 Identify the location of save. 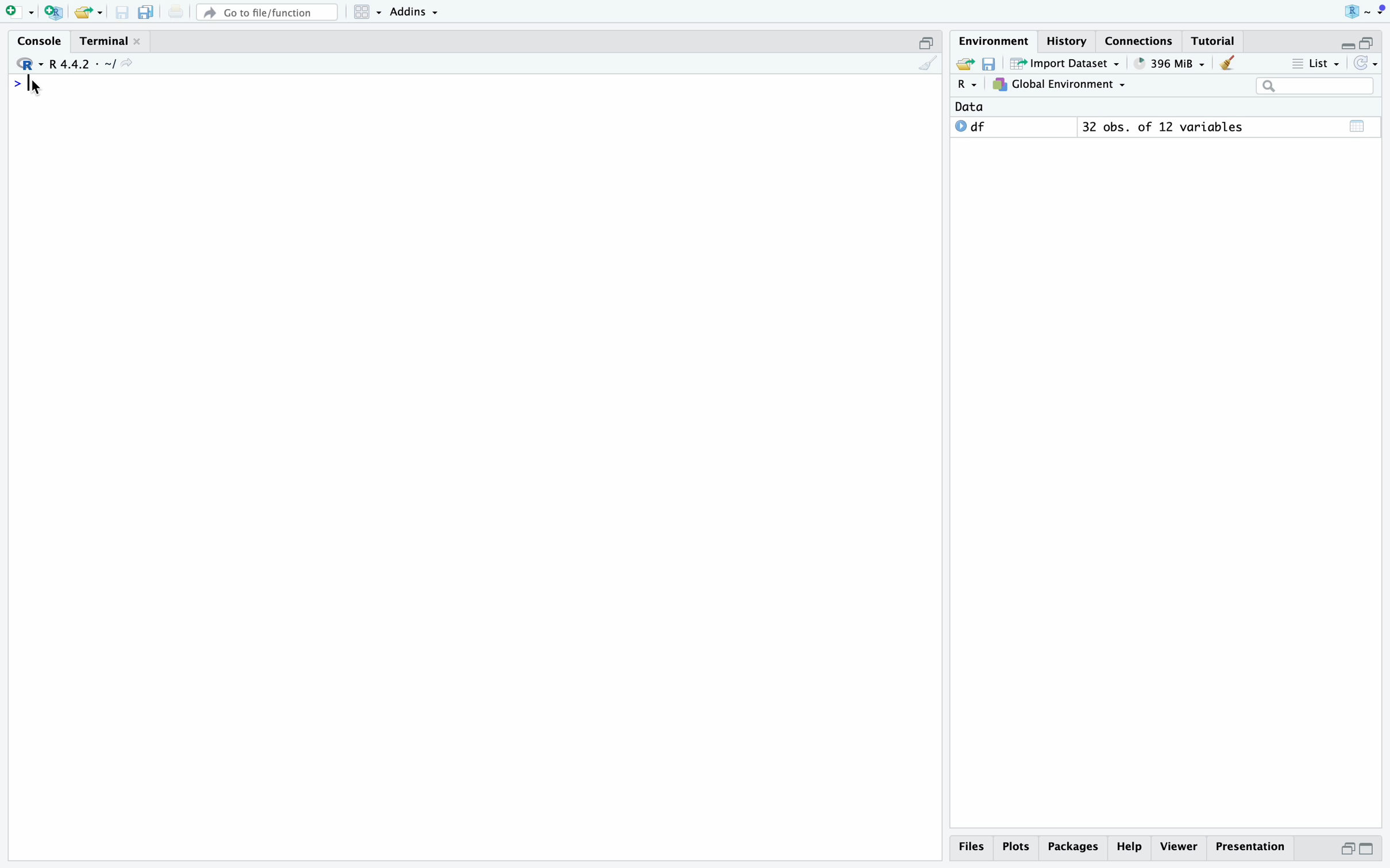
(989, 64).